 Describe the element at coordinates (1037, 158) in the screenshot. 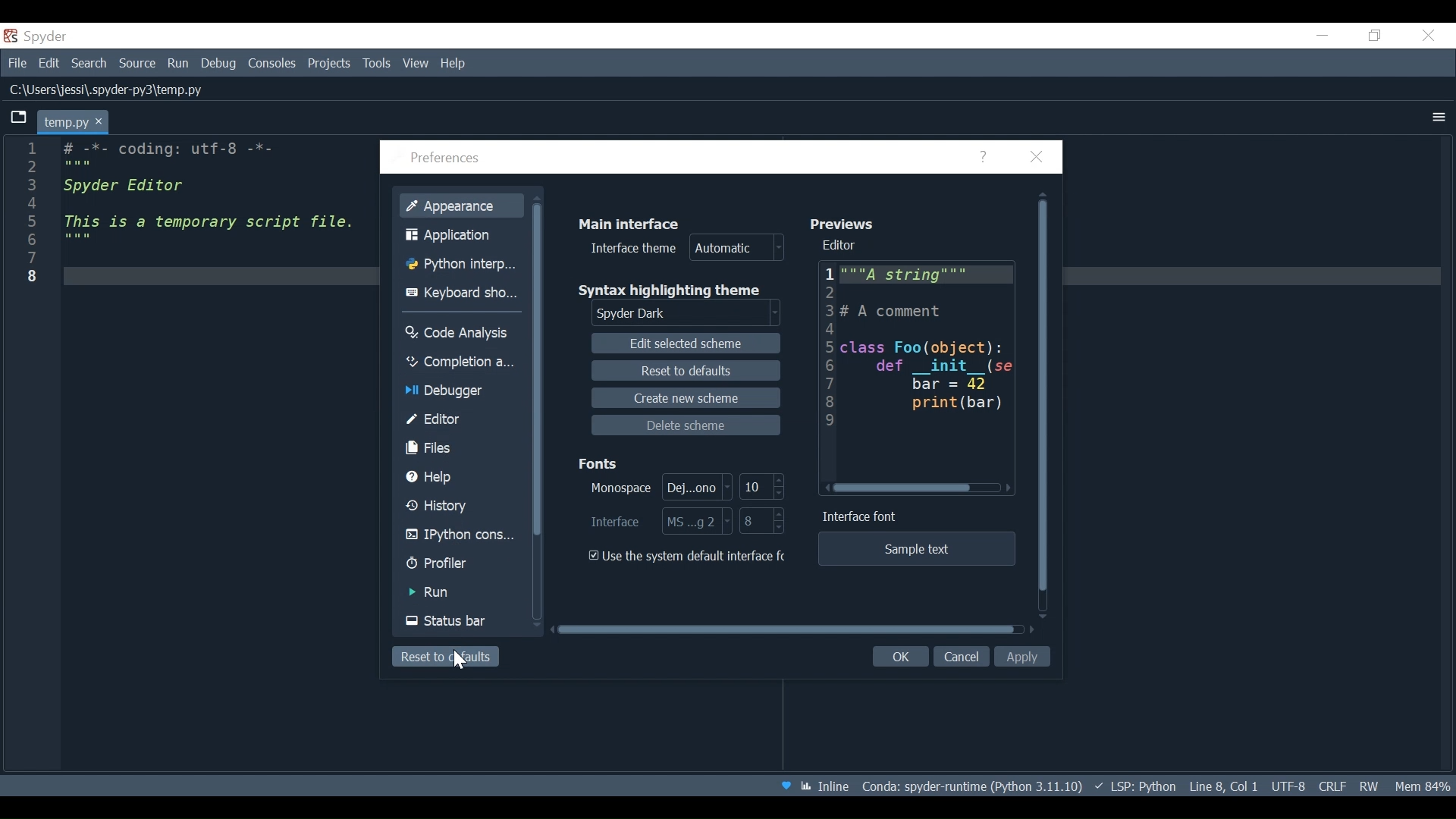

I see `Close` at that location.